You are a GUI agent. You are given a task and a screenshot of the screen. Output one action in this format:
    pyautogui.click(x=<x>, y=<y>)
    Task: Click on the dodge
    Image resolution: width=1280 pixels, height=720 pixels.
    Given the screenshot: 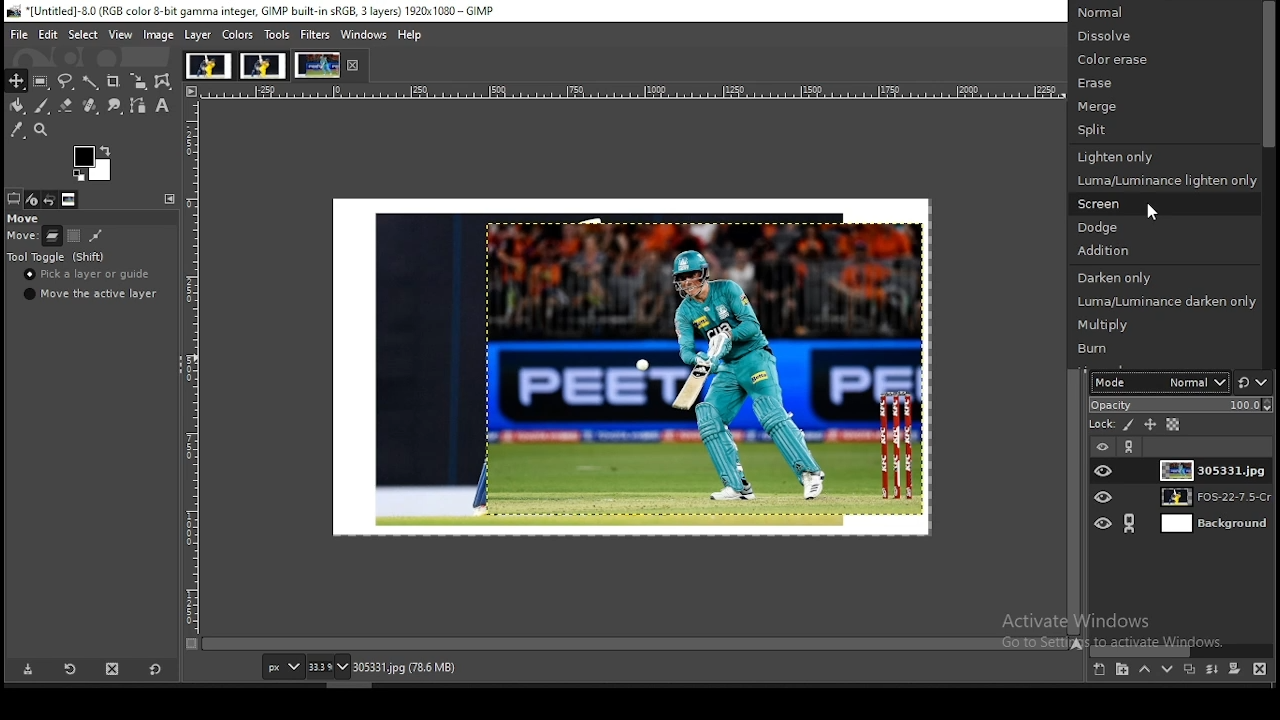 What is the action you would take?
    pyautogui.click(x=1166, y=226)
    